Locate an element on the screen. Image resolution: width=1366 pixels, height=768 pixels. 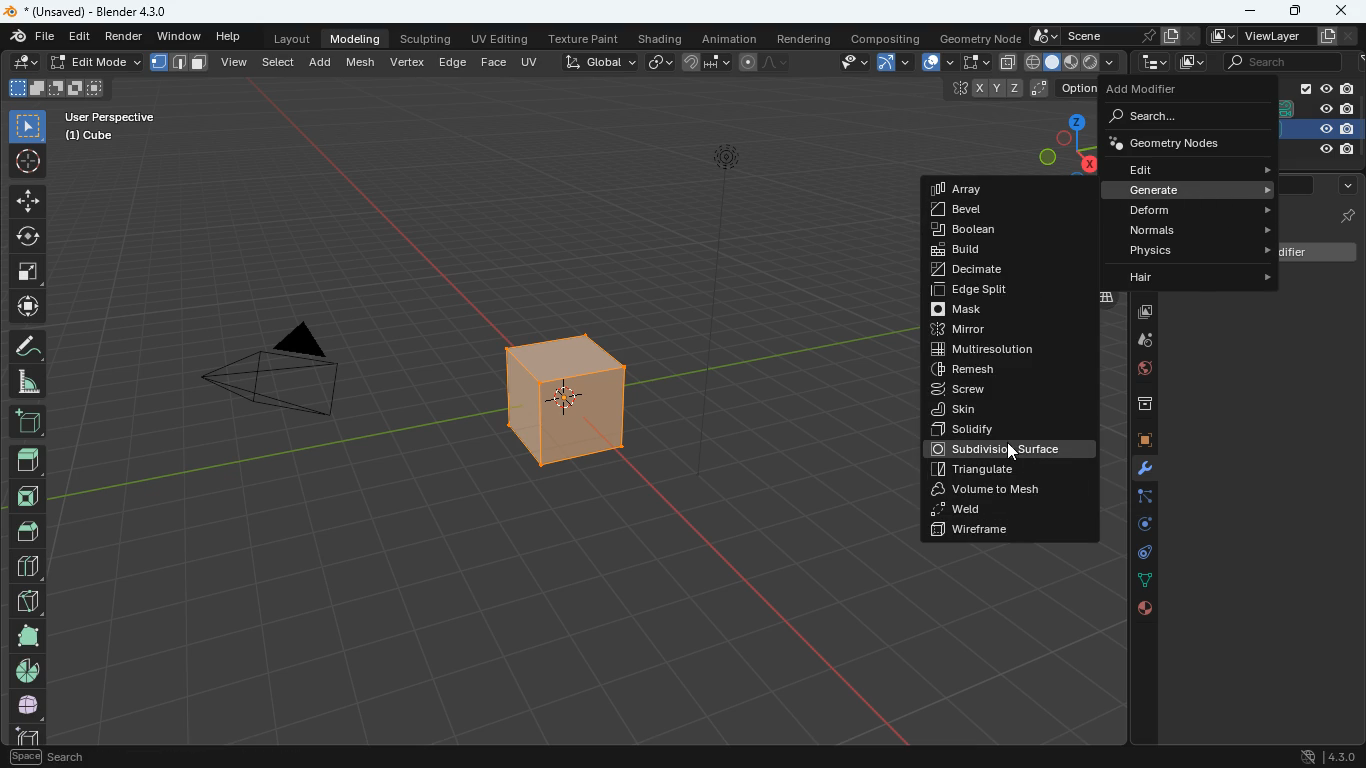
array is located at coordinates (976, 189).